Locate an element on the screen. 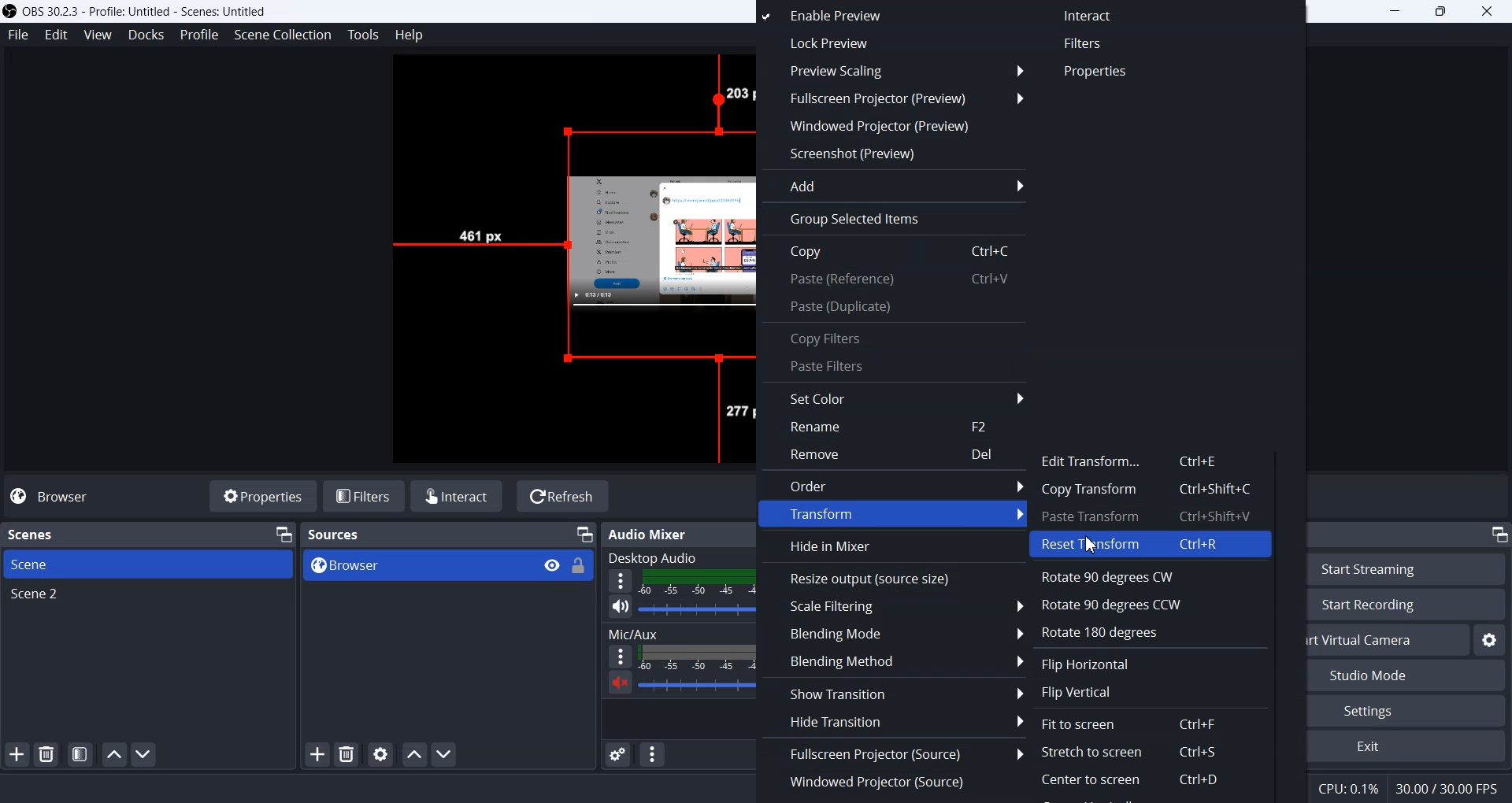  Hide in Mixer is located at coordinates (891, 545).